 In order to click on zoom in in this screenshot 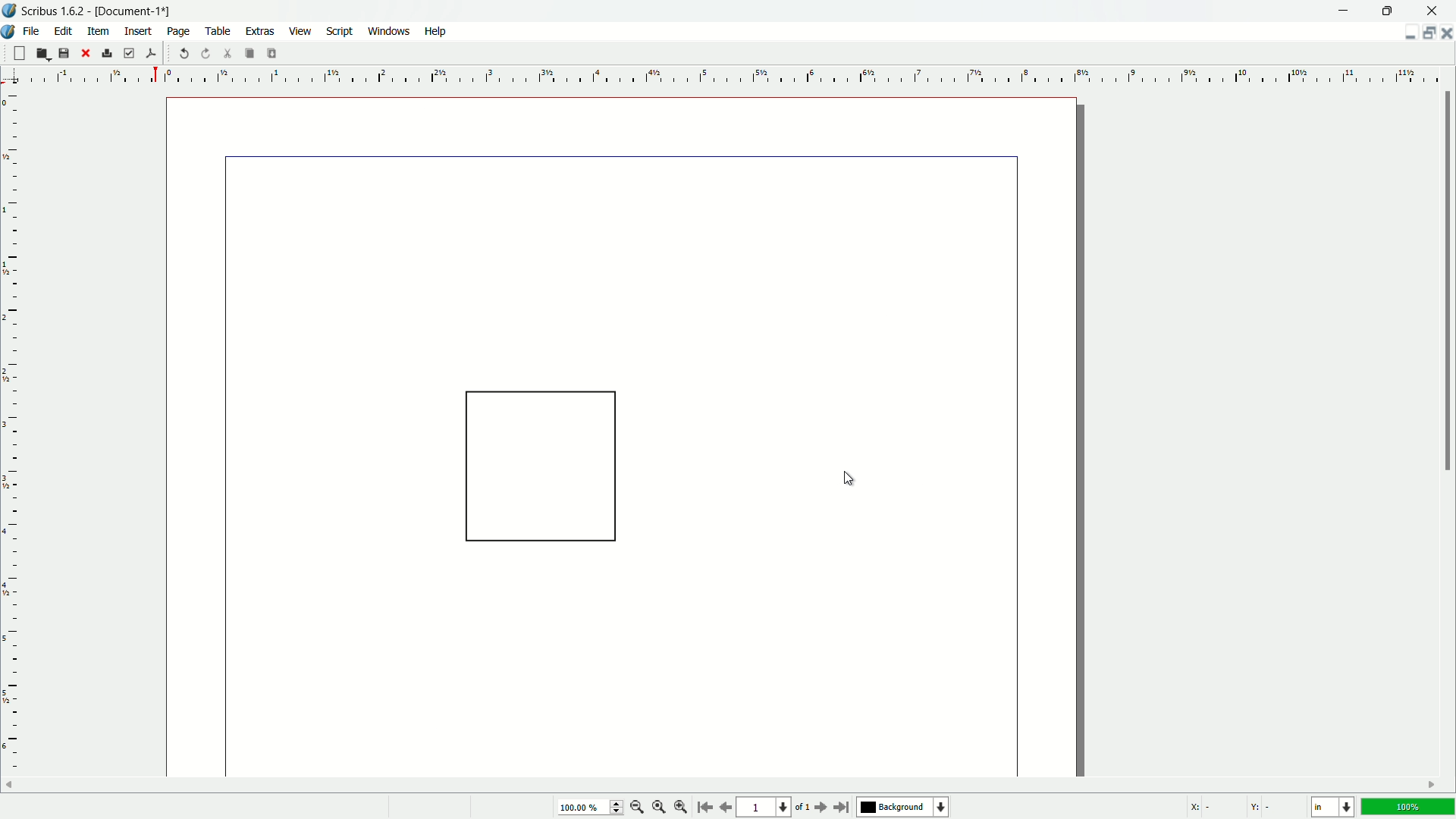, I will do `click(681, 809)`.